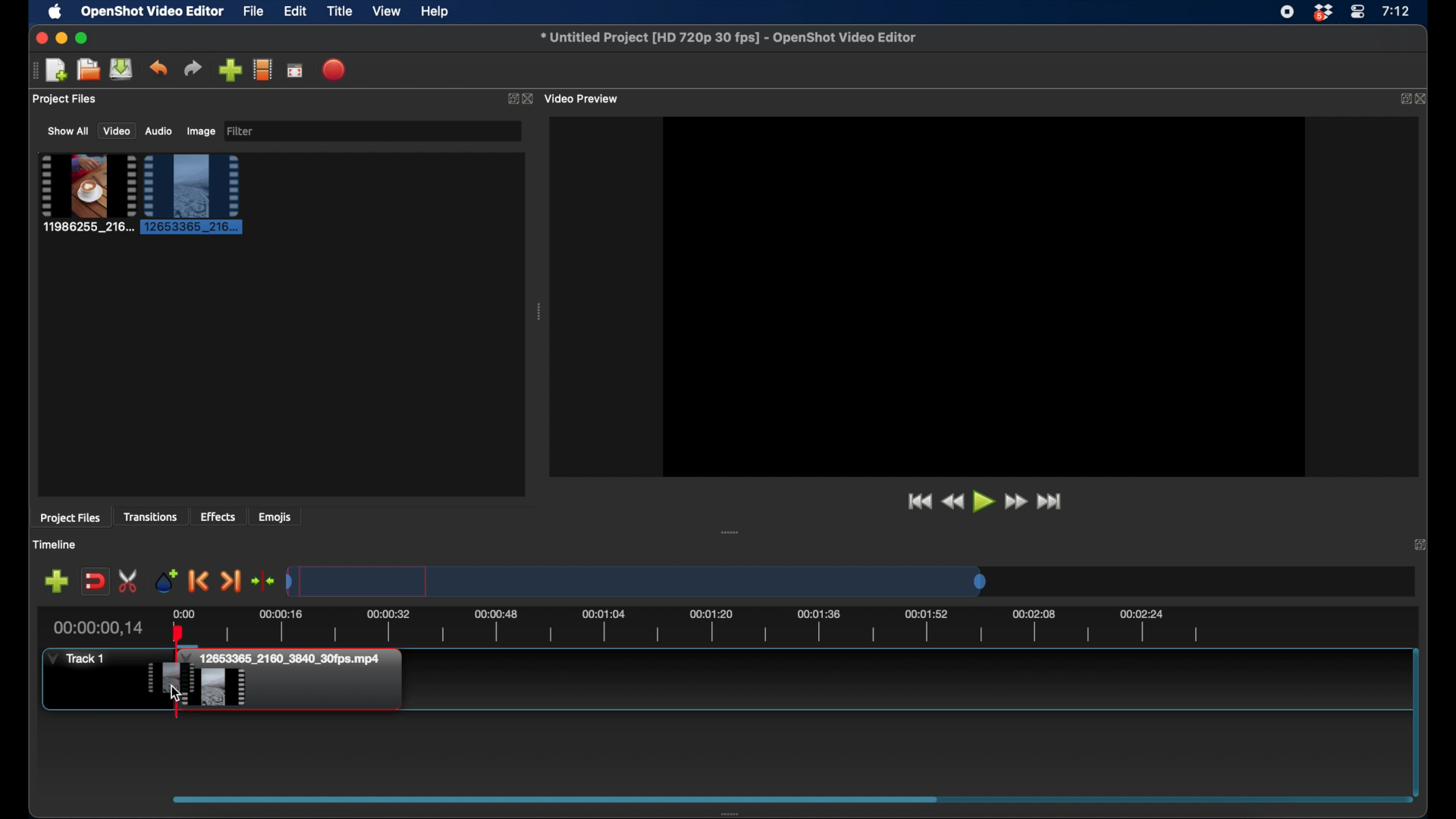 Image resolution: width=1456 pixels, height=819 pixels. I want to click on transitions, so click(150, 517).